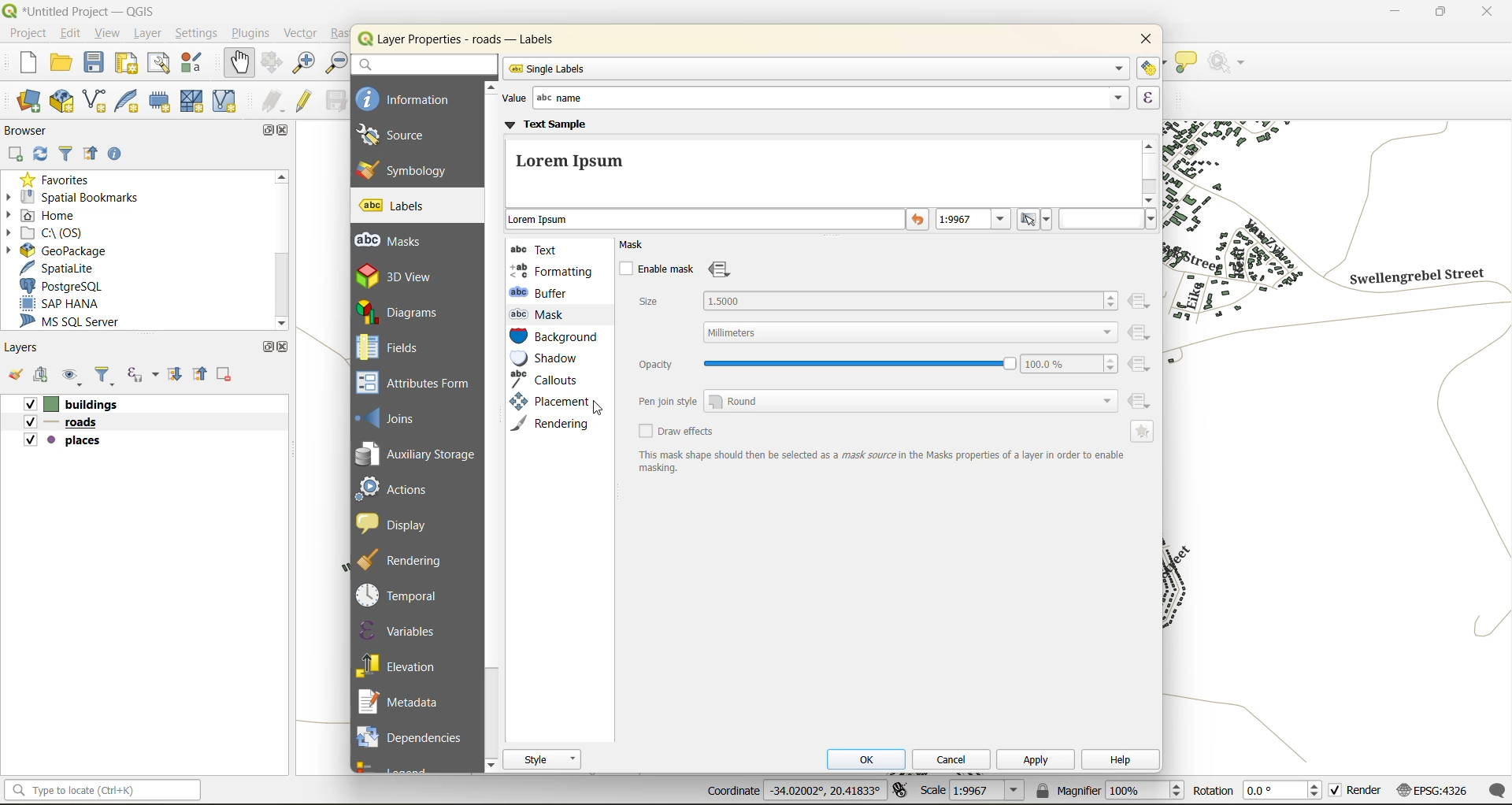 This screenshot has width=1512, height=805. I want to click on ms sql server, so click(73, 322).